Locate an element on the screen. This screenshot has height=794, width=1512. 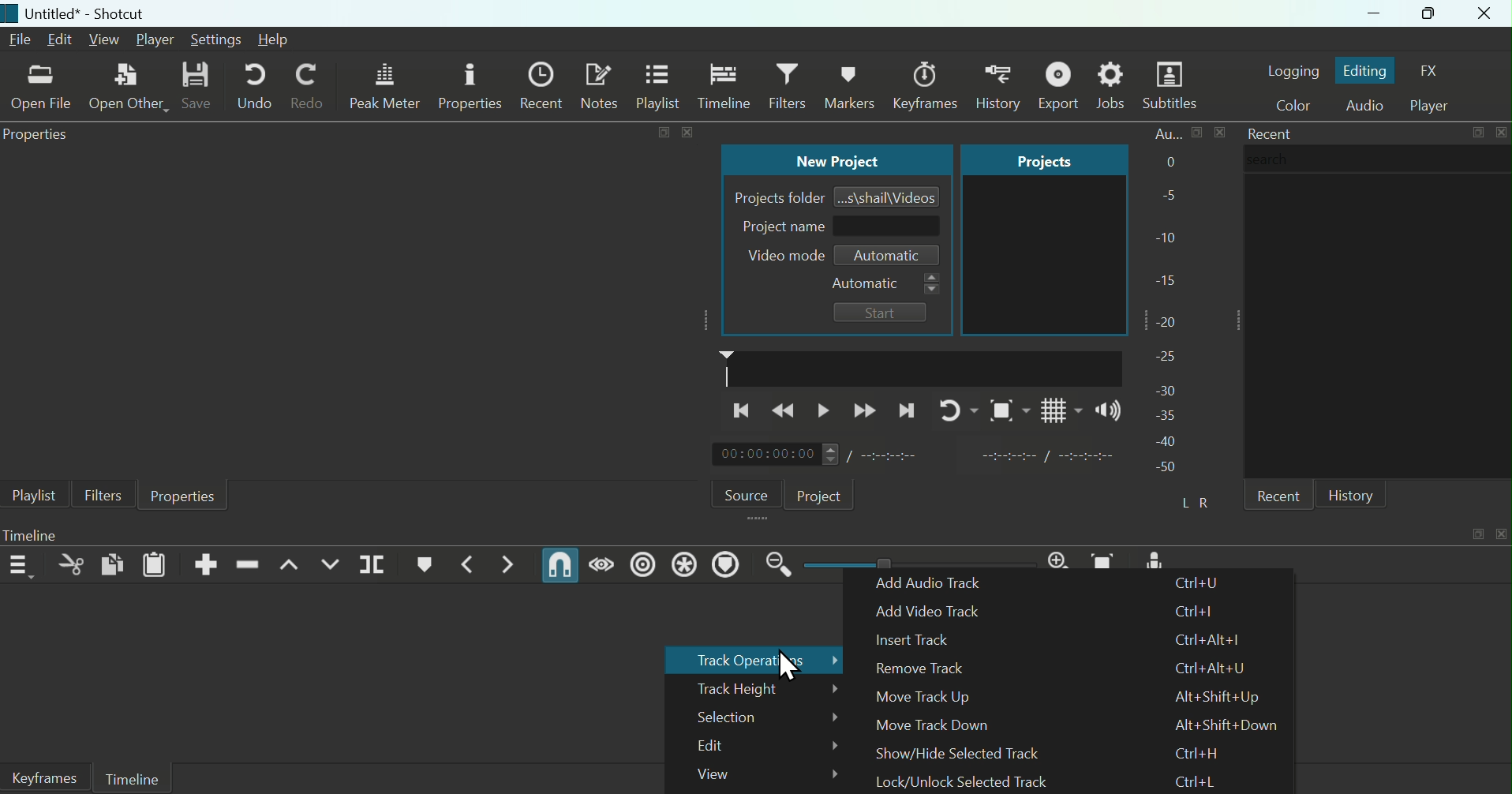
close is located at coordinates (687, 132).